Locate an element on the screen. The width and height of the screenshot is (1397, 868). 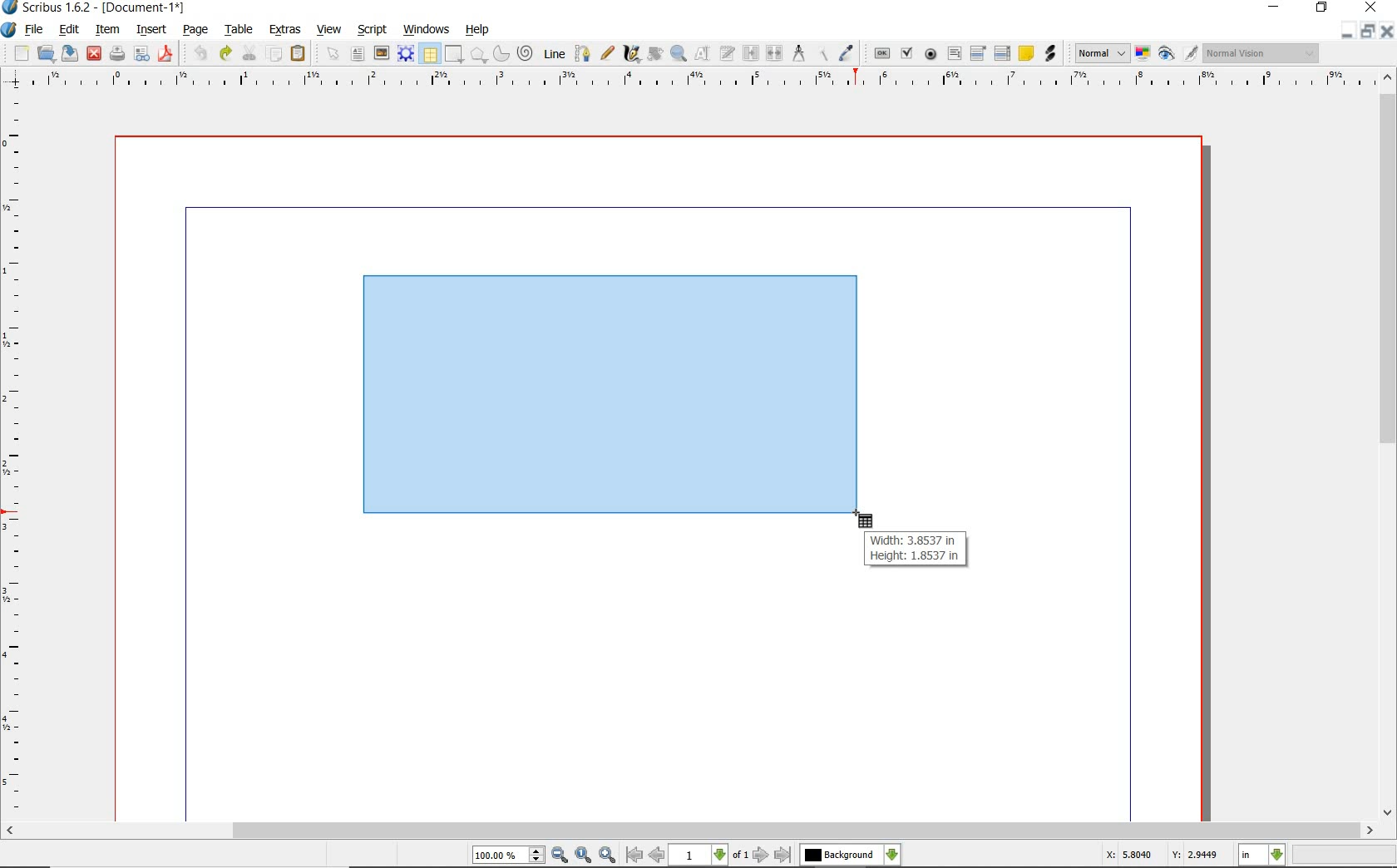
eye dropper is located at coordinates (847, 53).